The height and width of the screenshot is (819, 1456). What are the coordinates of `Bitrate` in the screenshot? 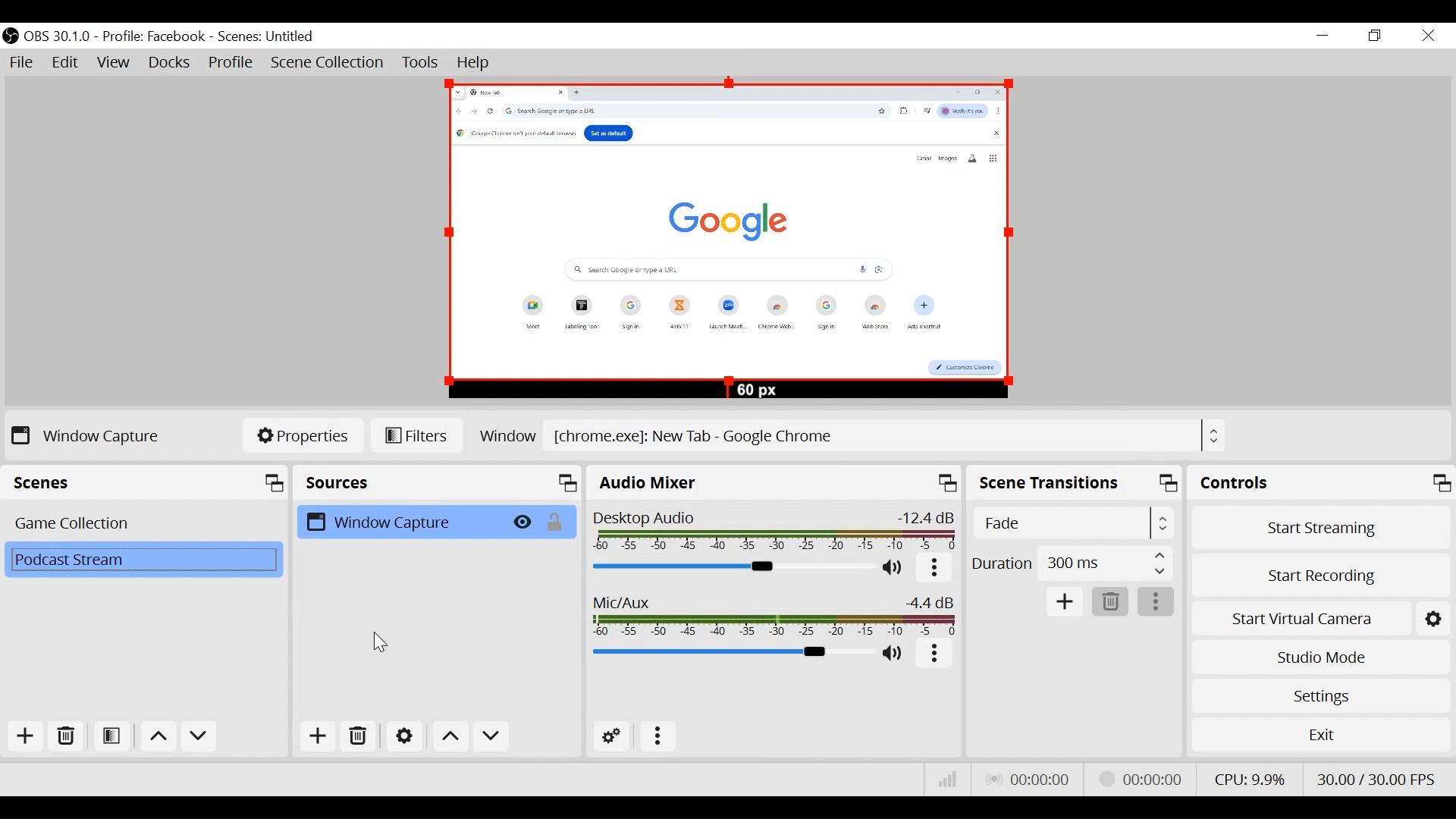 It's located at (946, 779).